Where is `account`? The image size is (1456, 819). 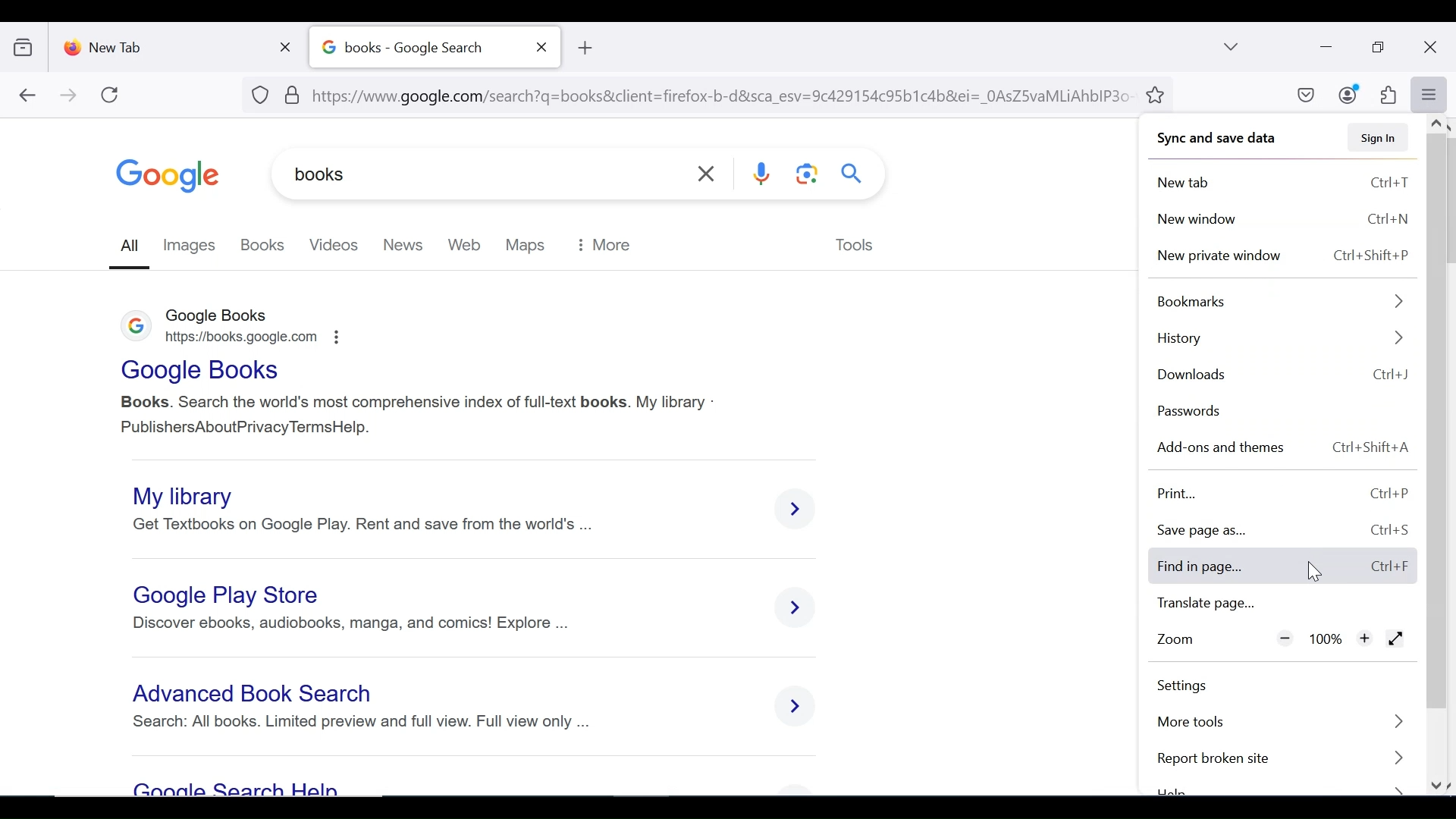
account is located at coordinates (1349, 94).